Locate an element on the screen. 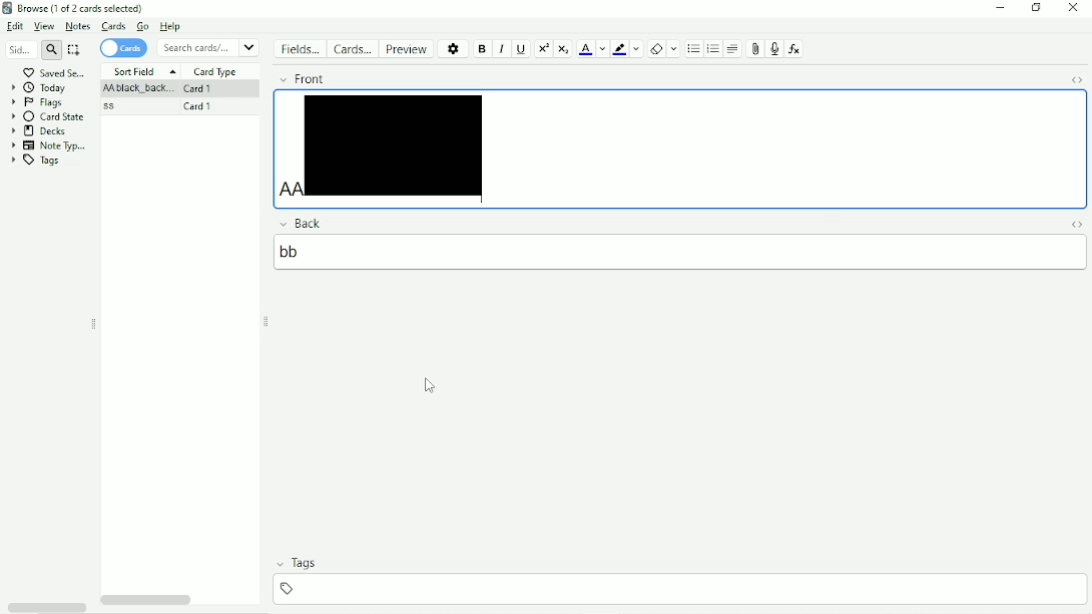 The height and width of the screenshot is (614, 1092). Toggle HTML Editor is located at coordinates (1080, 80).